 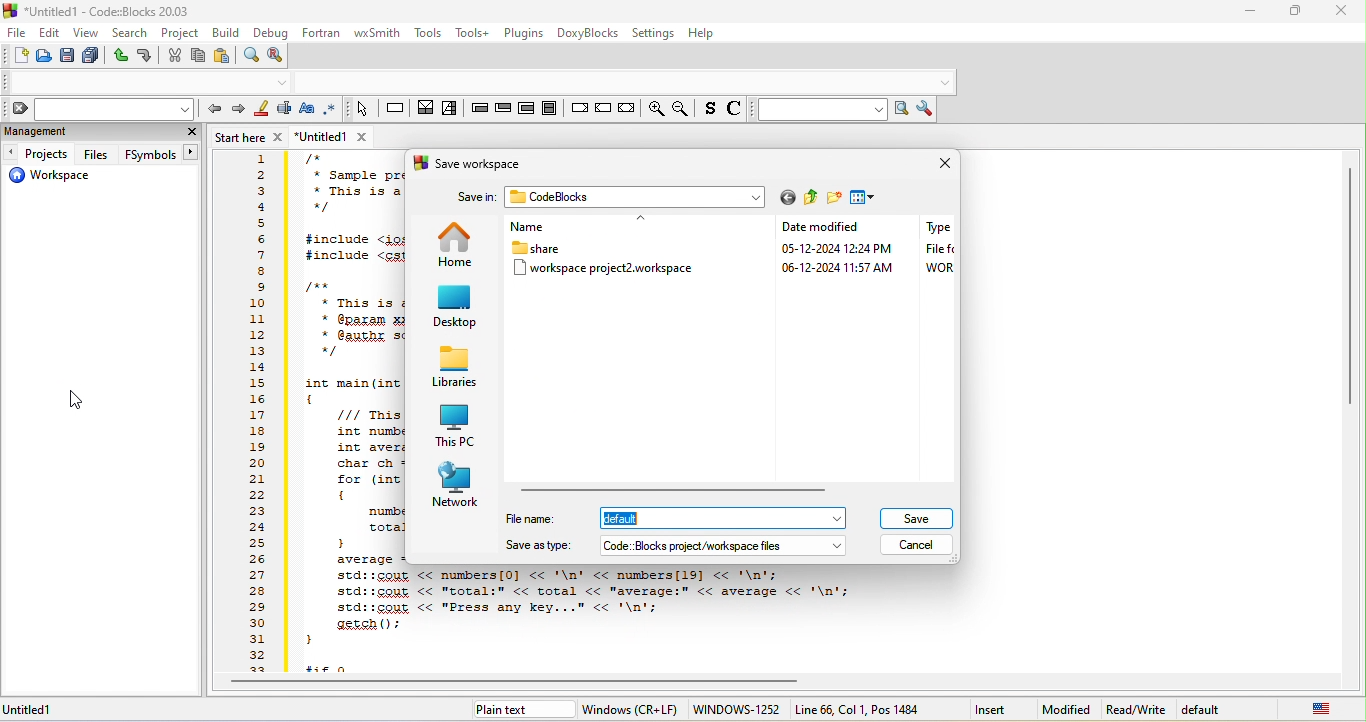 What do you see at coordinates (59, 176) in the screenshot?
I see `workspace` at bounding box center [59, 176].